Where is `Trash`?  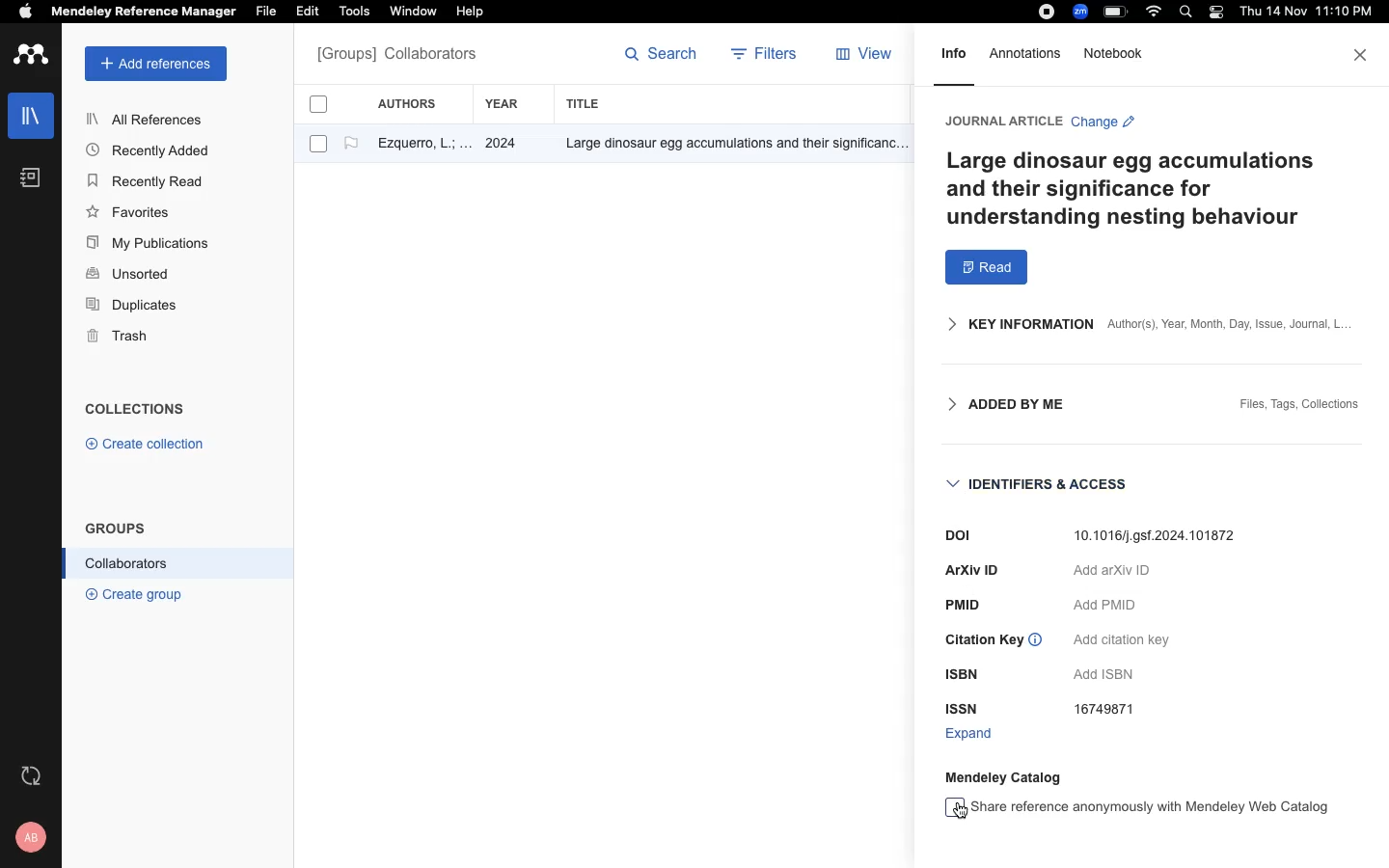 Trash is located at coordinates (125, 338).